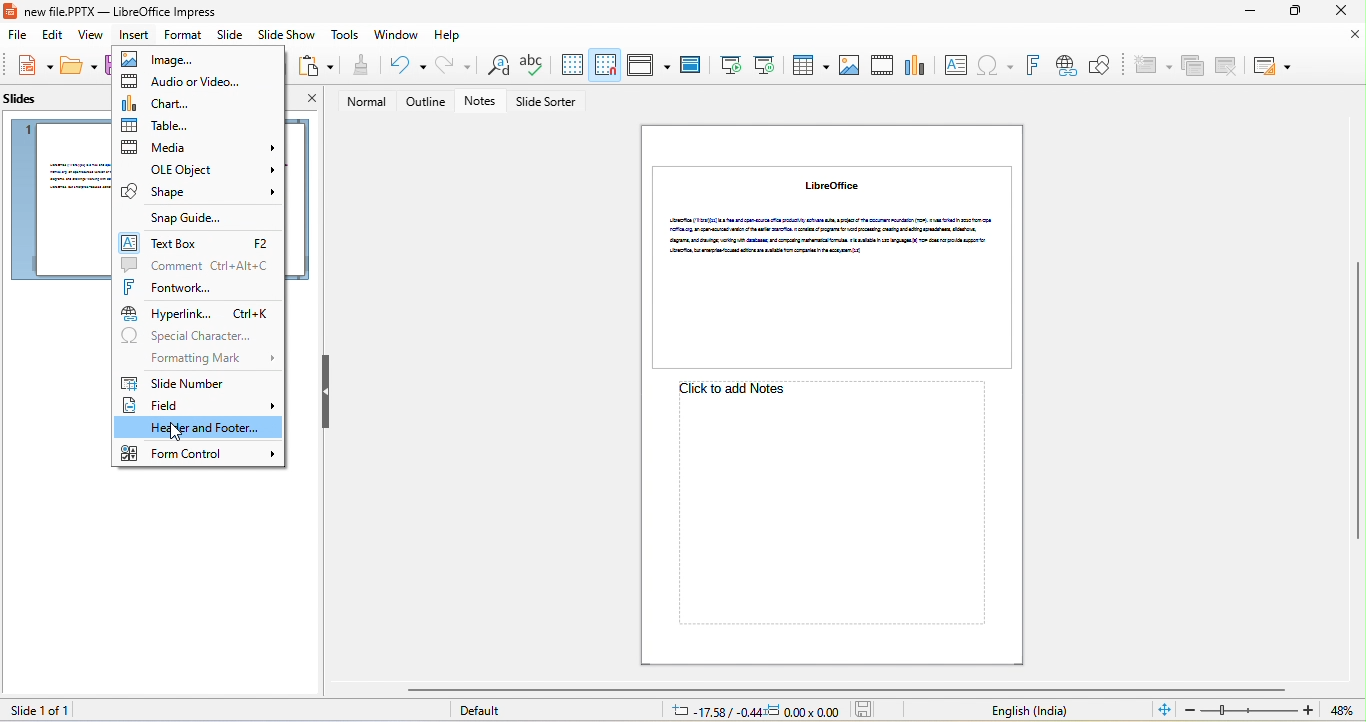 Image resolution: width=1366 pixels, height=722 pixels. What do you see at coordinates (296, 198) in the screenshot?
I see `slide 1` at bounding box center [296, 198].